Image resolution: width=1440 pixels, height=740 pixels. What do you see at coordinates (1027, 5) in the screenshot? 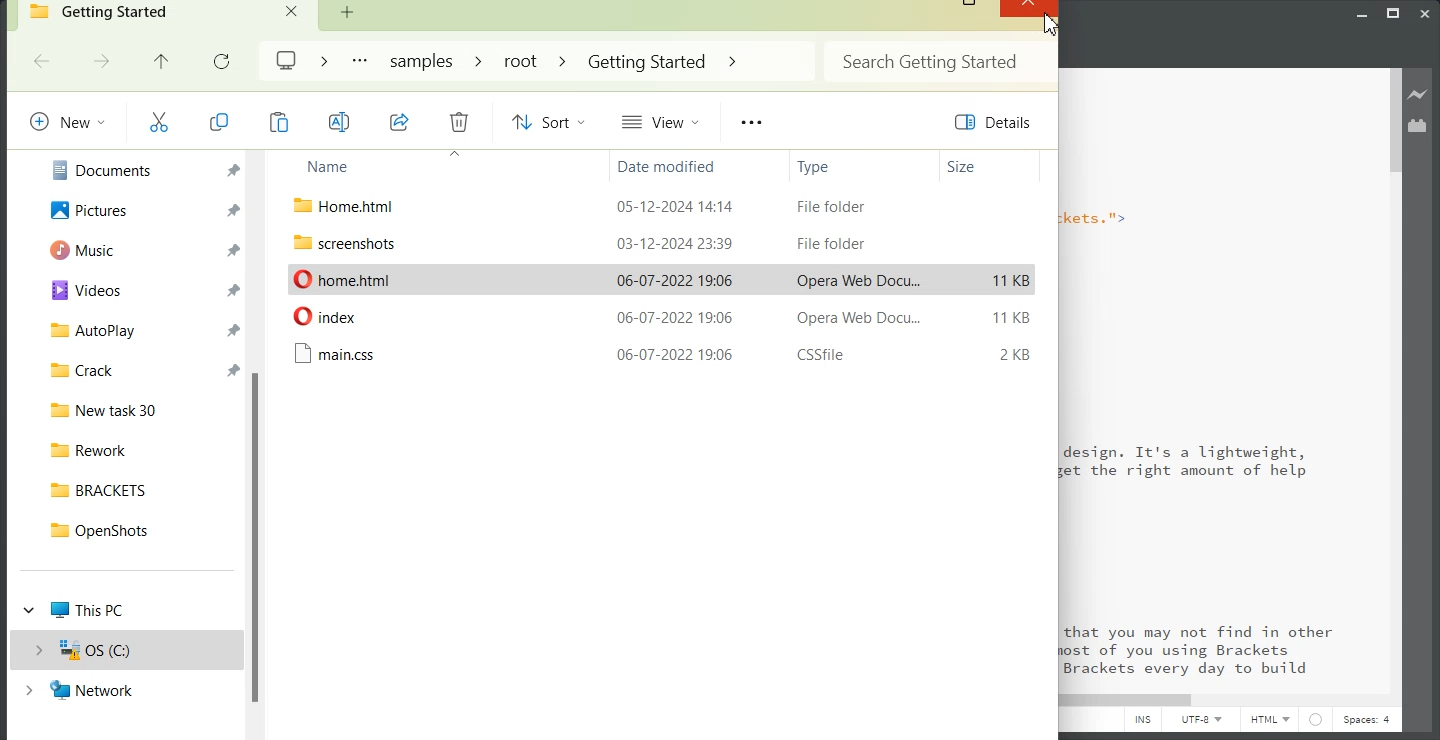
I see `Close` at bounding box center [1027, 5].